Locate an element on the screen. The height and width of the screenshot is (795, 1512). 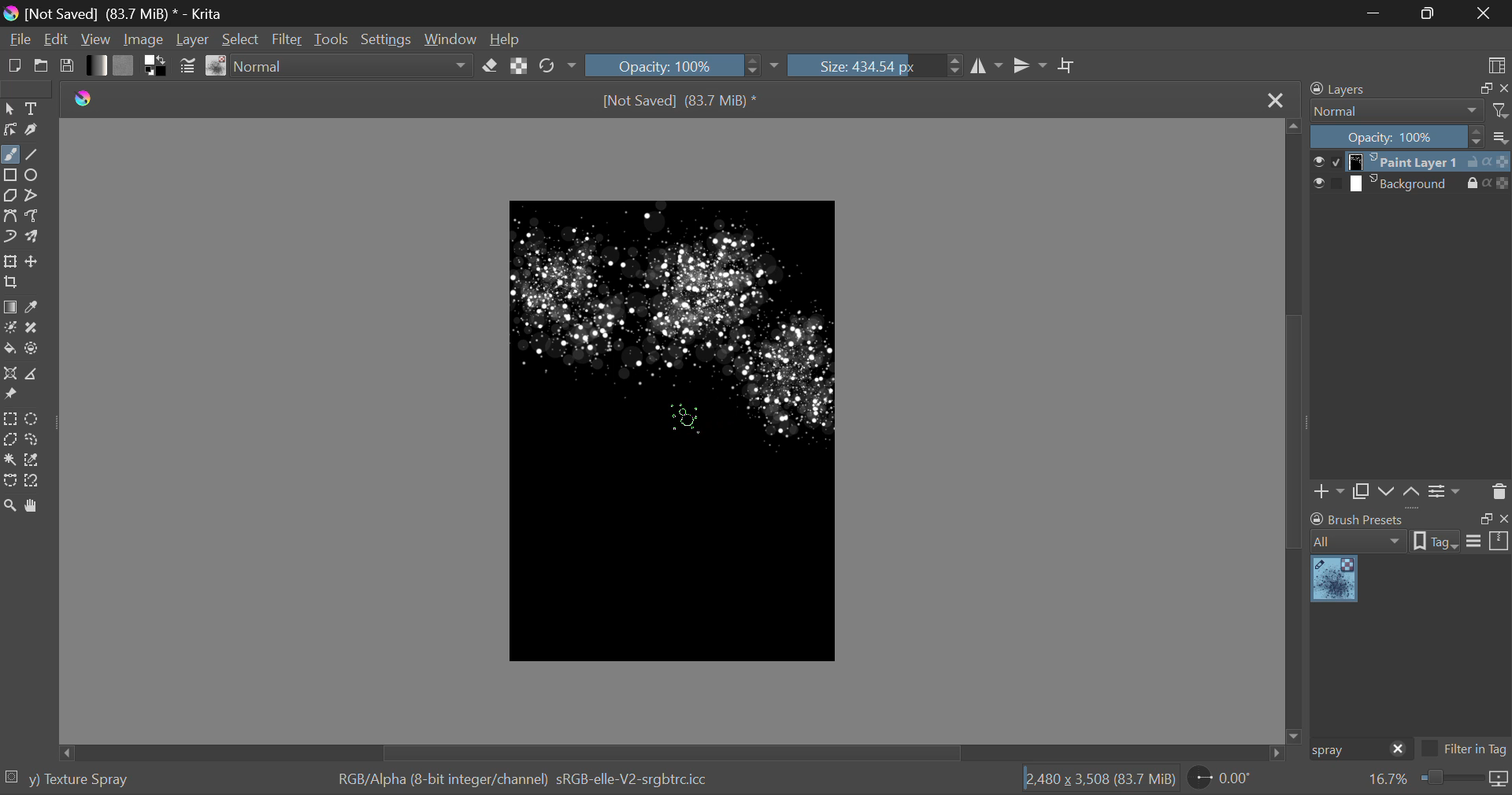
RGB/Alpha (8-bit integer/channel) sRGB-elle-V2-srgbtrcicc is located at coordinates (524, 780).